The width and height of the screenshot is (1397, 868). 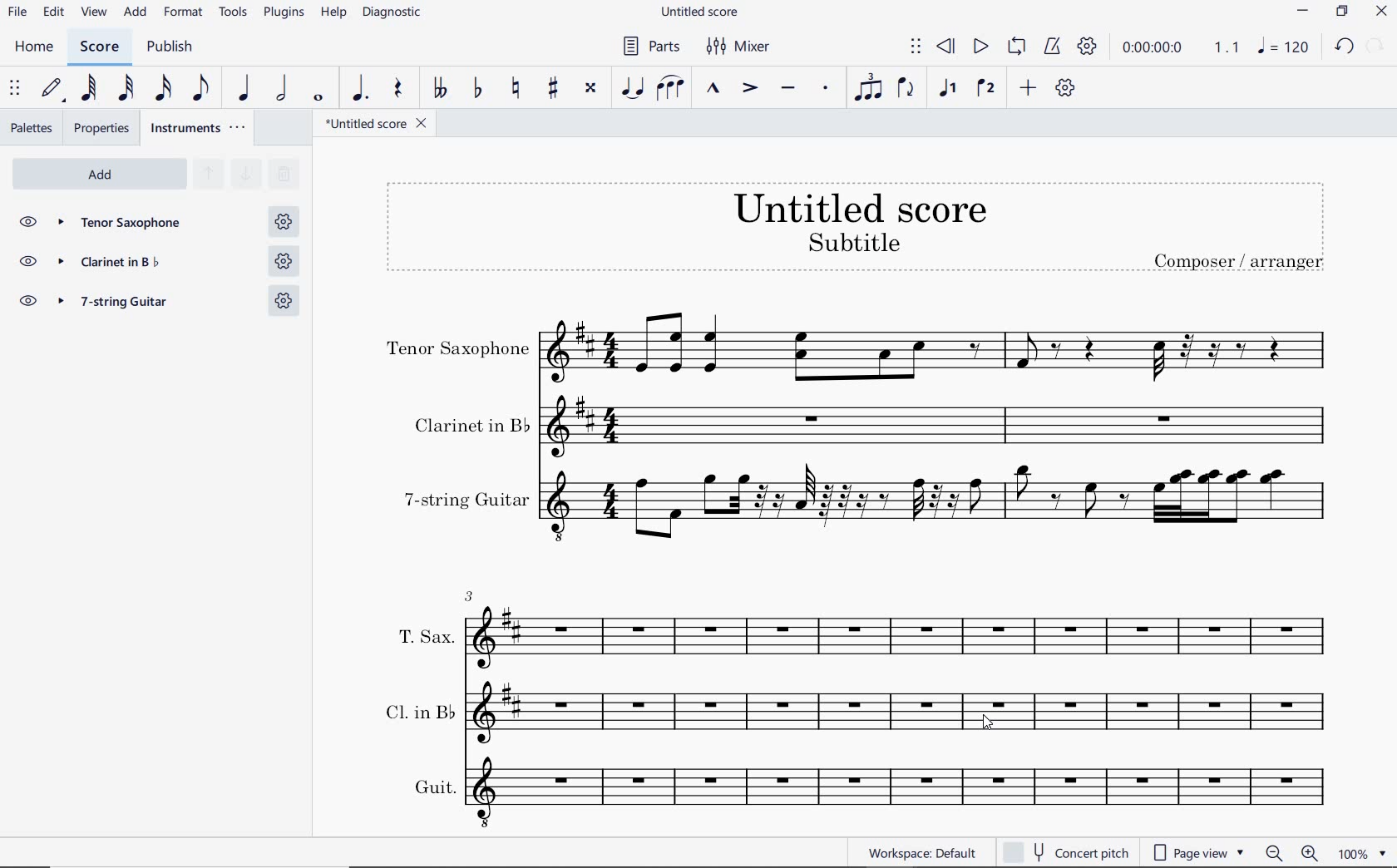 What do you see at coordinates (856, 352) in the screenshot?
I see `INSTRUMENT: TENOR SAXOPHONE` at bounding box center [856, 352].